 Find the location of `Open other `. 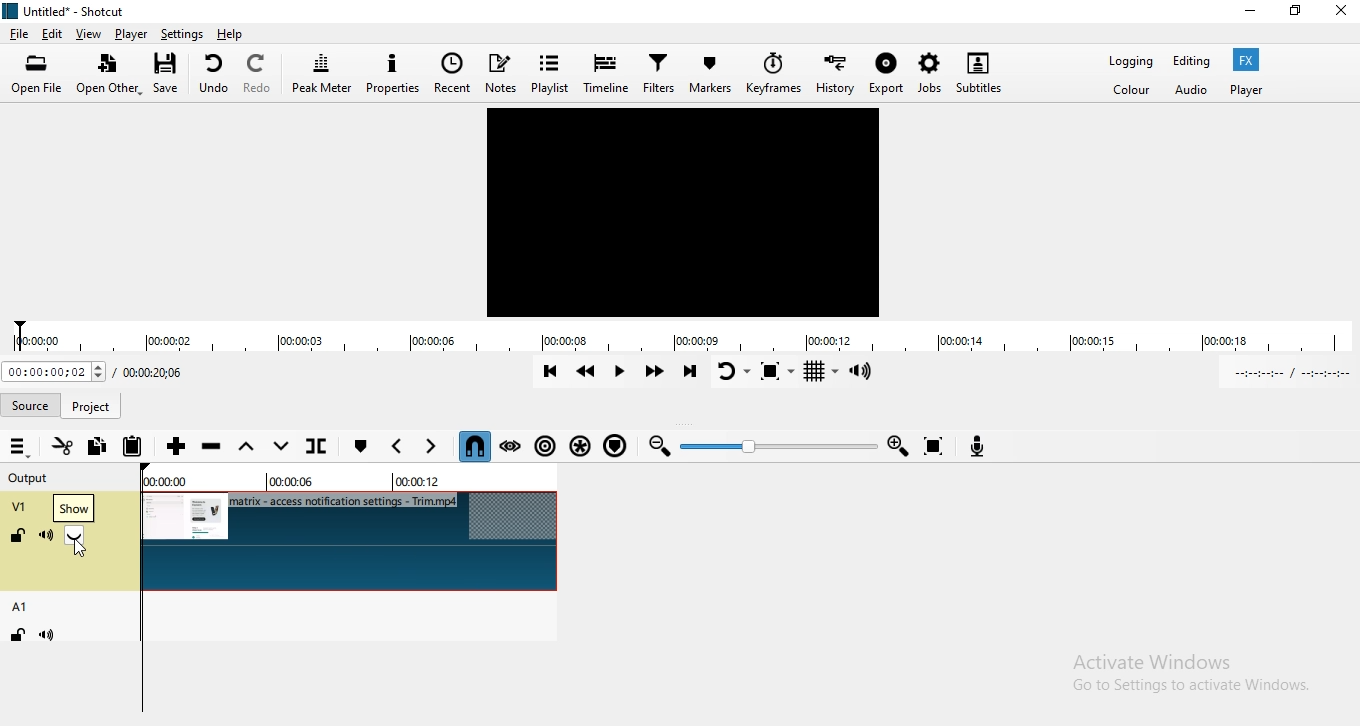

Open other  is located at coordinates (108, 75).